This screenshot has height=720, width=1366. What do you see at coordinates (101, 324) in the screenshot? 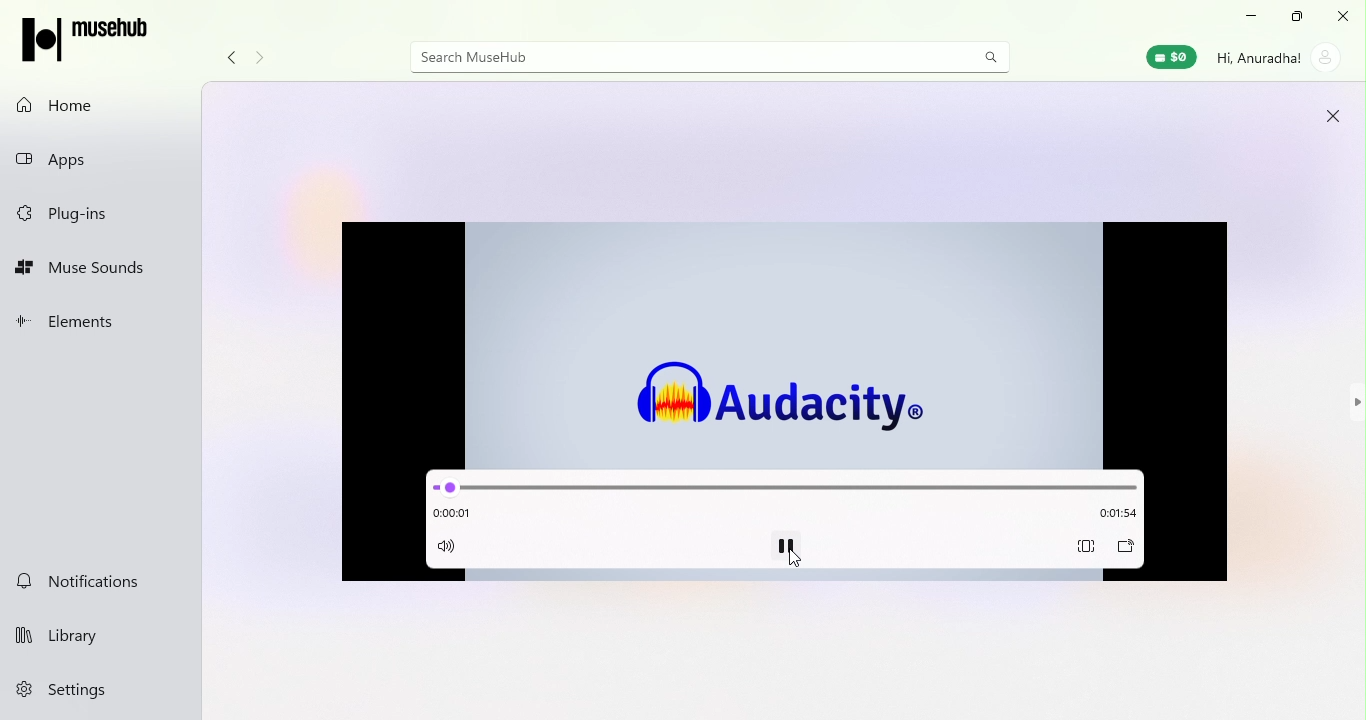
I see `Elements` at bounding box center [101, 324].